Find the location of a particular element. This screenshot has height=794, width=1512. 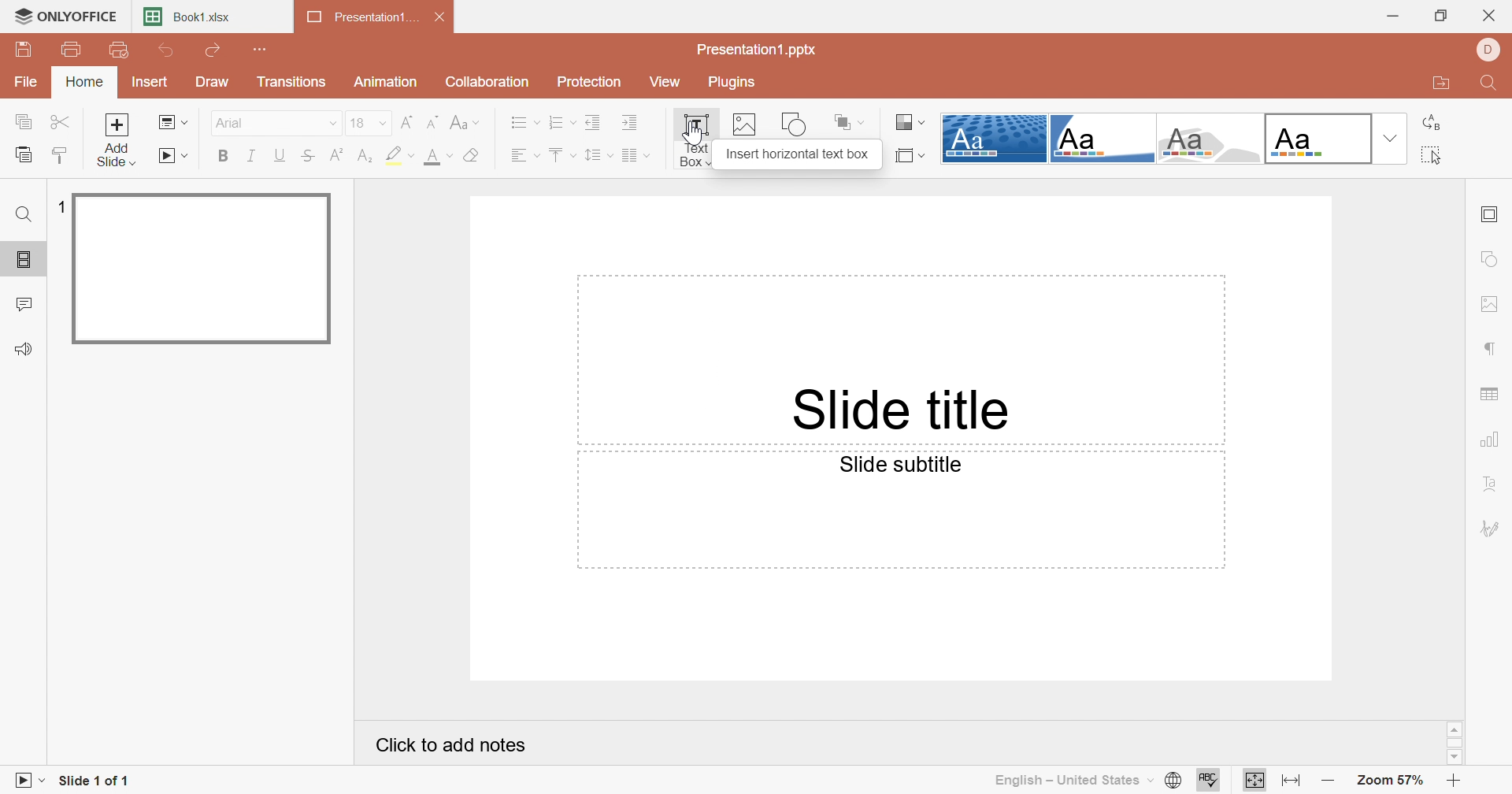

Collaboration is located at coordinates (487, 83).